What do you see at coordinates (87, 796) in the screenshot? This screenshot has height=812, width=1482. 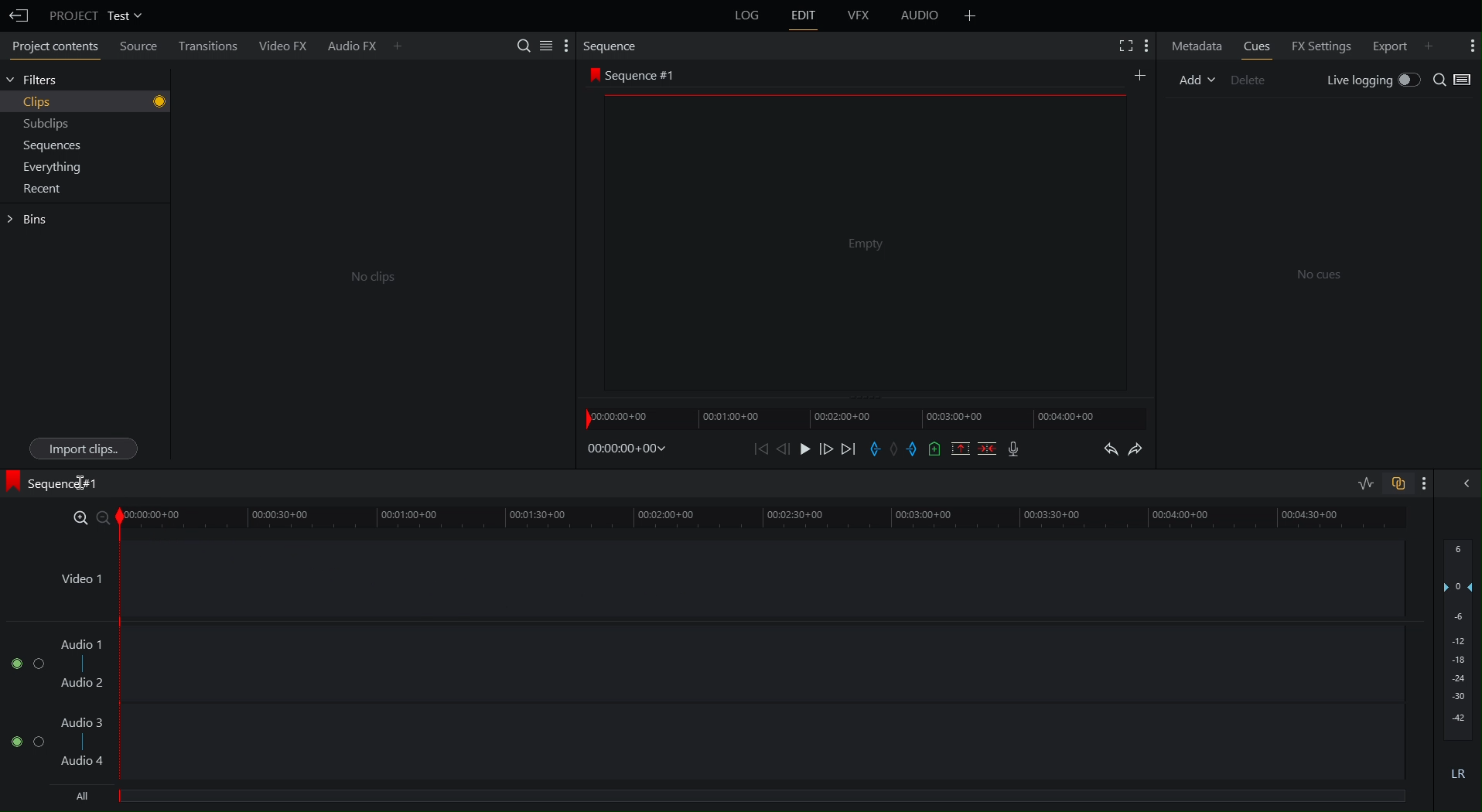 I see `All` at bounding box center [87, 796].